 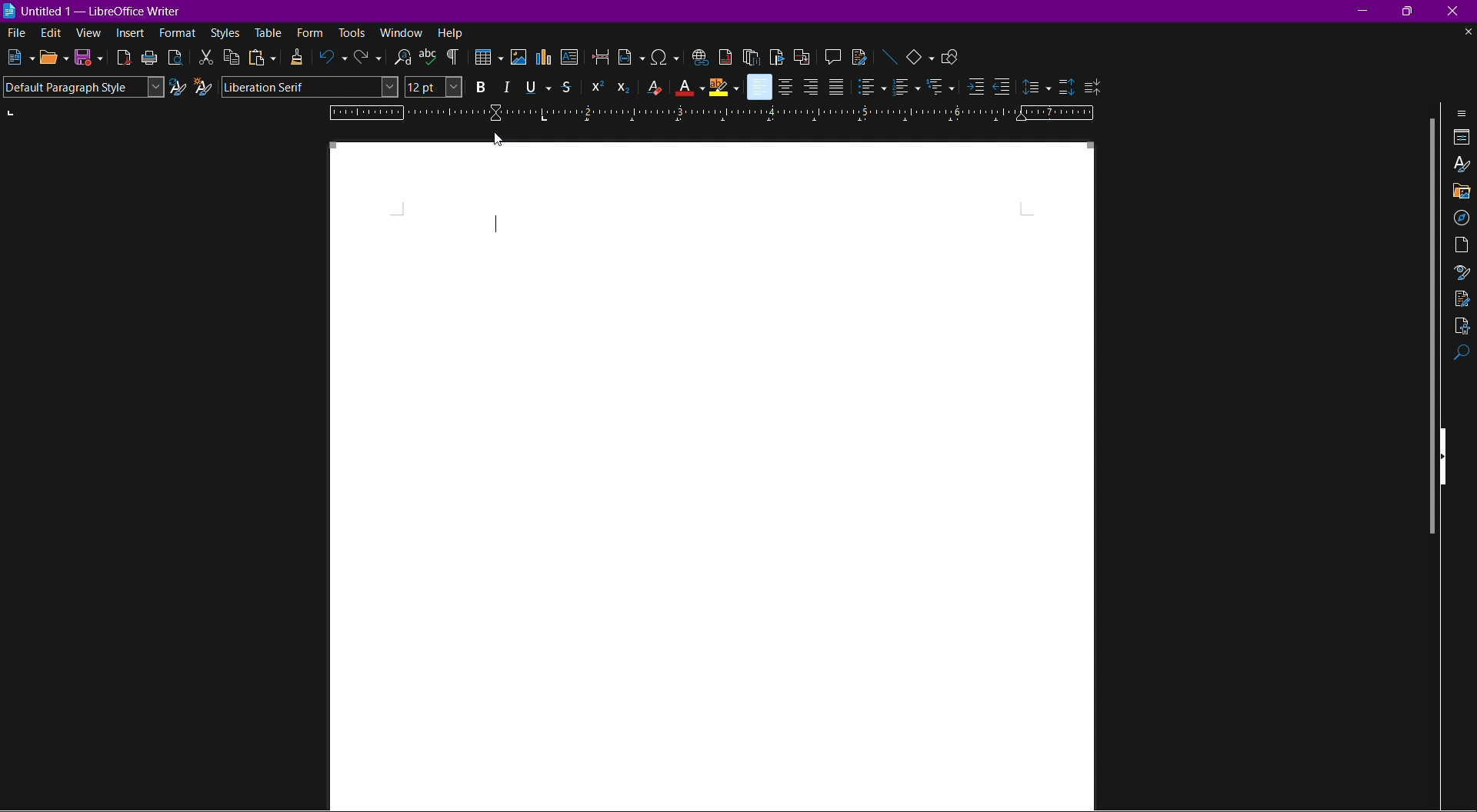 I want to click on Redo, so click(x=367, y=59).